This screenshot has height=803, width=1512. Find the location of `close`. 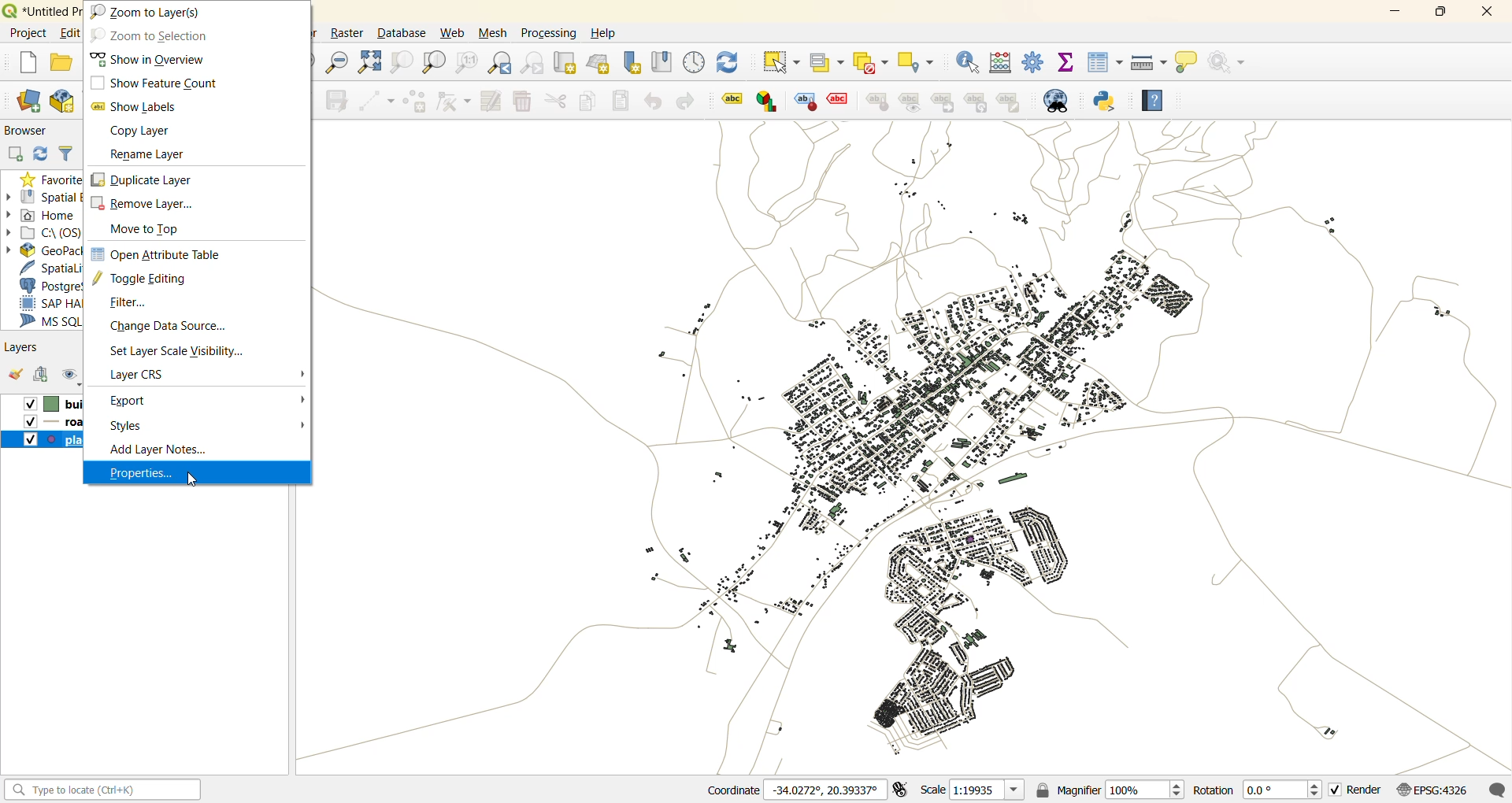

close is located at coordinates (1484, 16).